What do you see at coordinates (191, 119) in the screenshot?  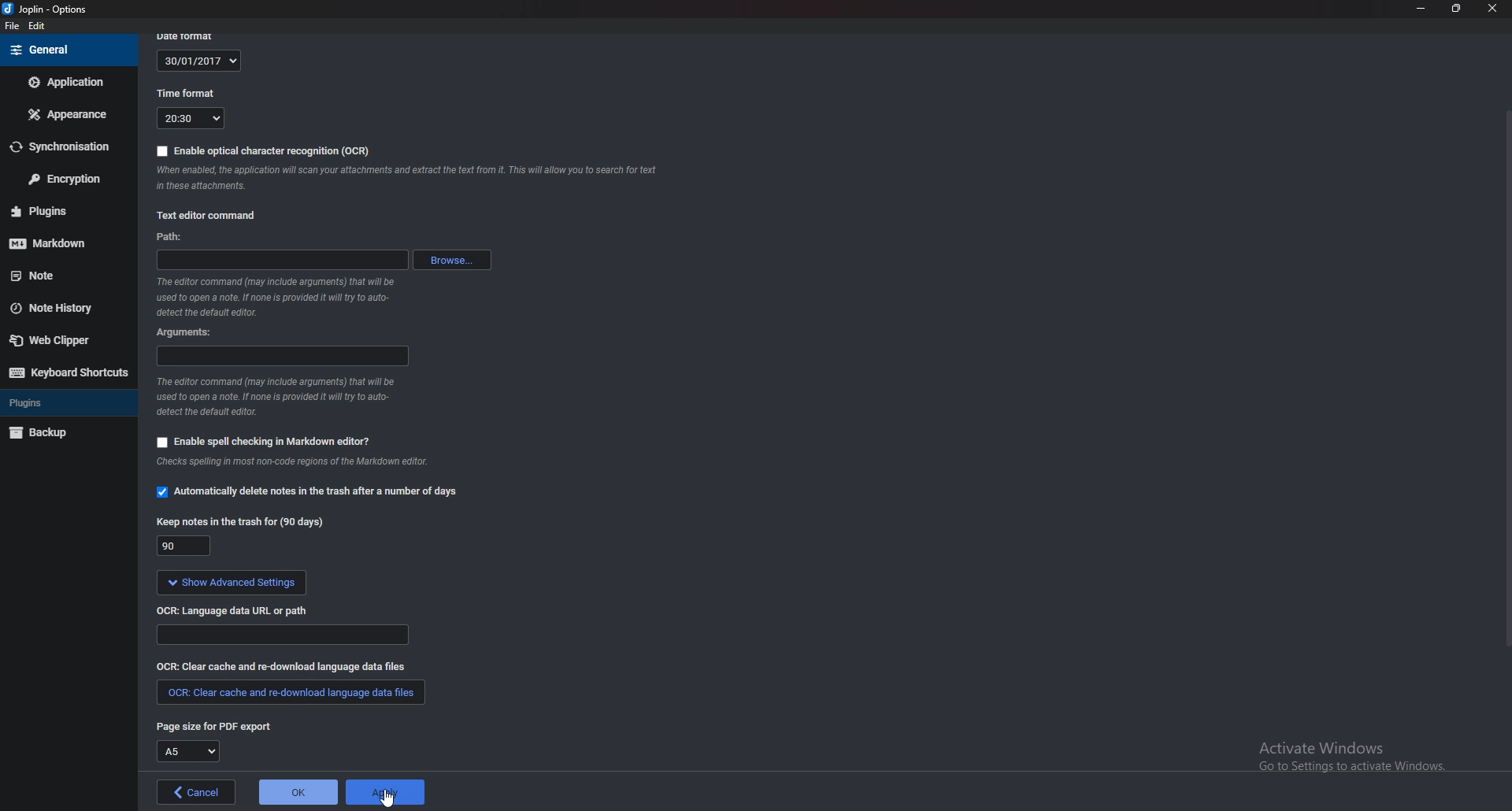 I see `20:30` at bounding box center [191, 119].